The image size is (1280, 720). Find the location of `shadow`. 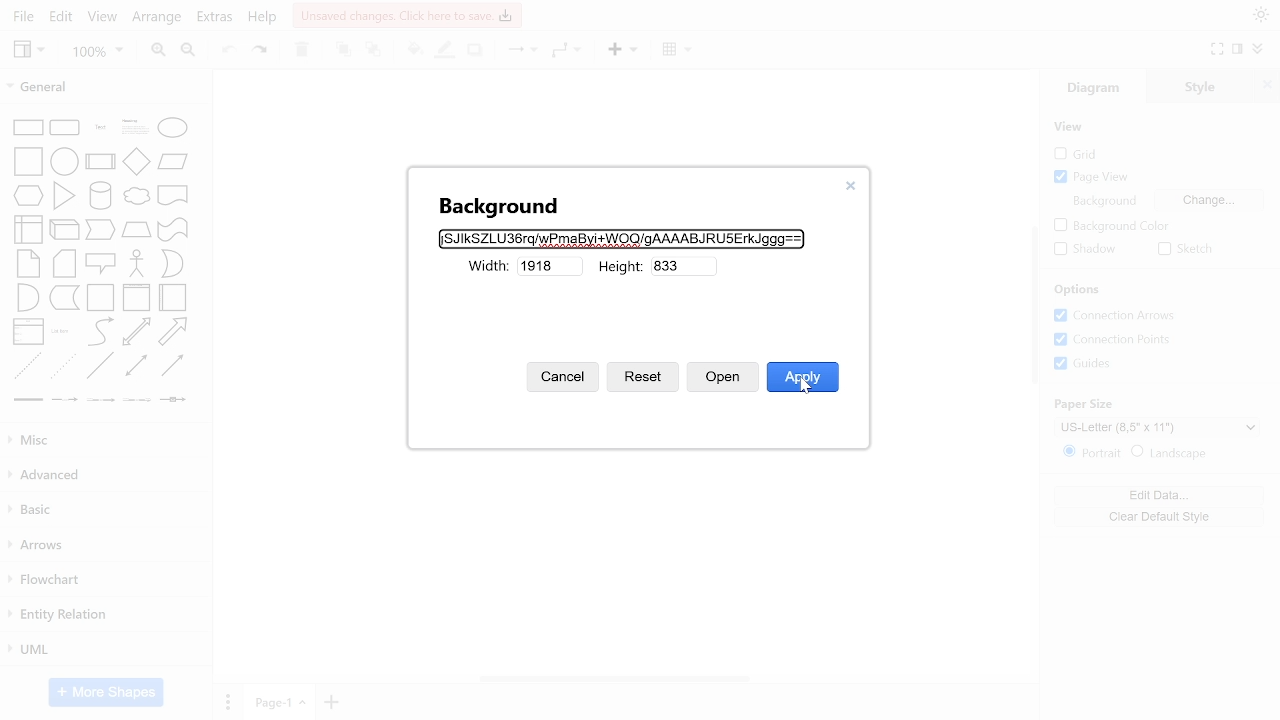

shadow is located at coordinates (1082, 250).